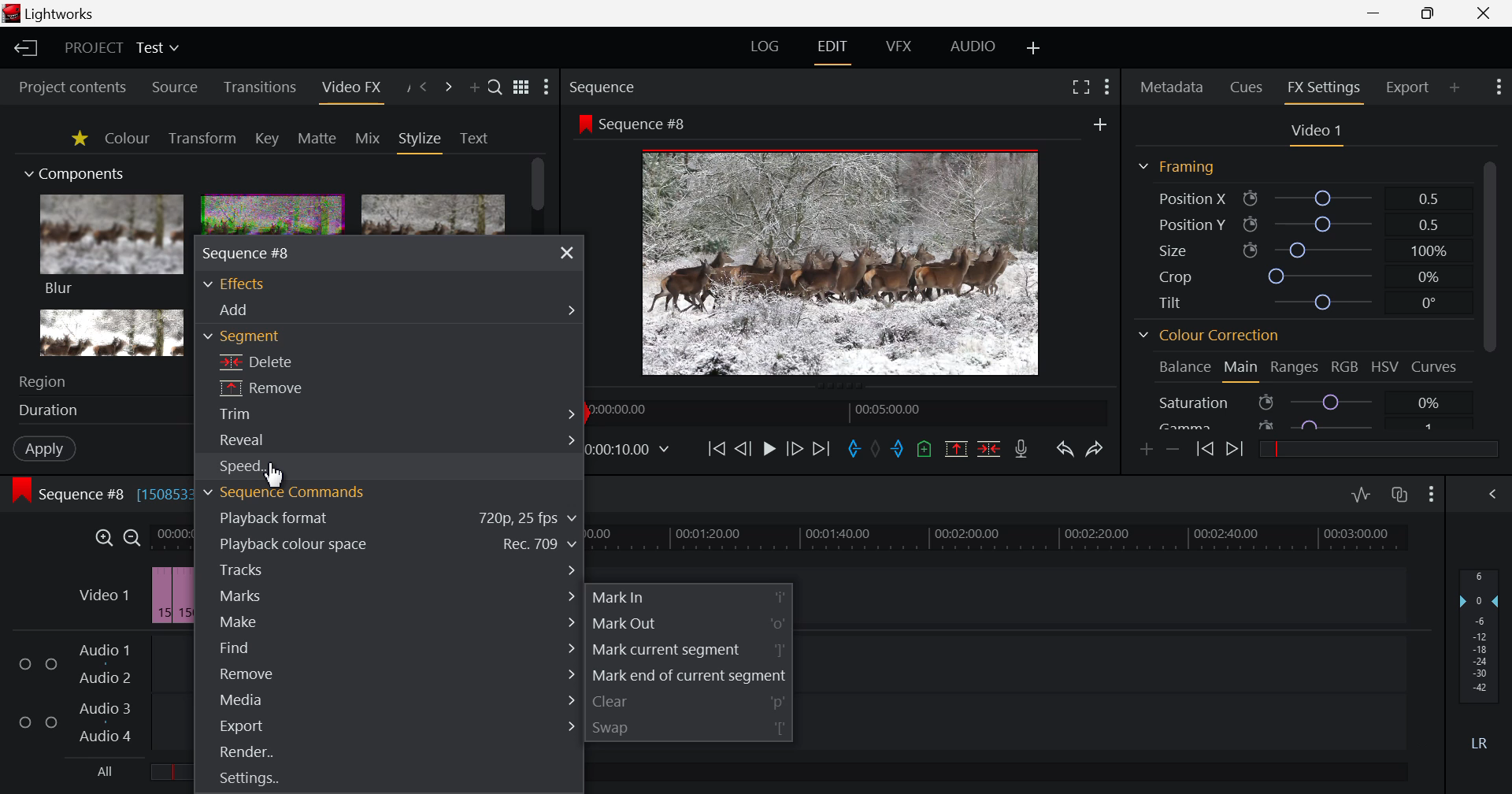 Image resolution: width=1512 pixels, height=794 pixels. I want to click on First Clip Cut, so click(174, 599).